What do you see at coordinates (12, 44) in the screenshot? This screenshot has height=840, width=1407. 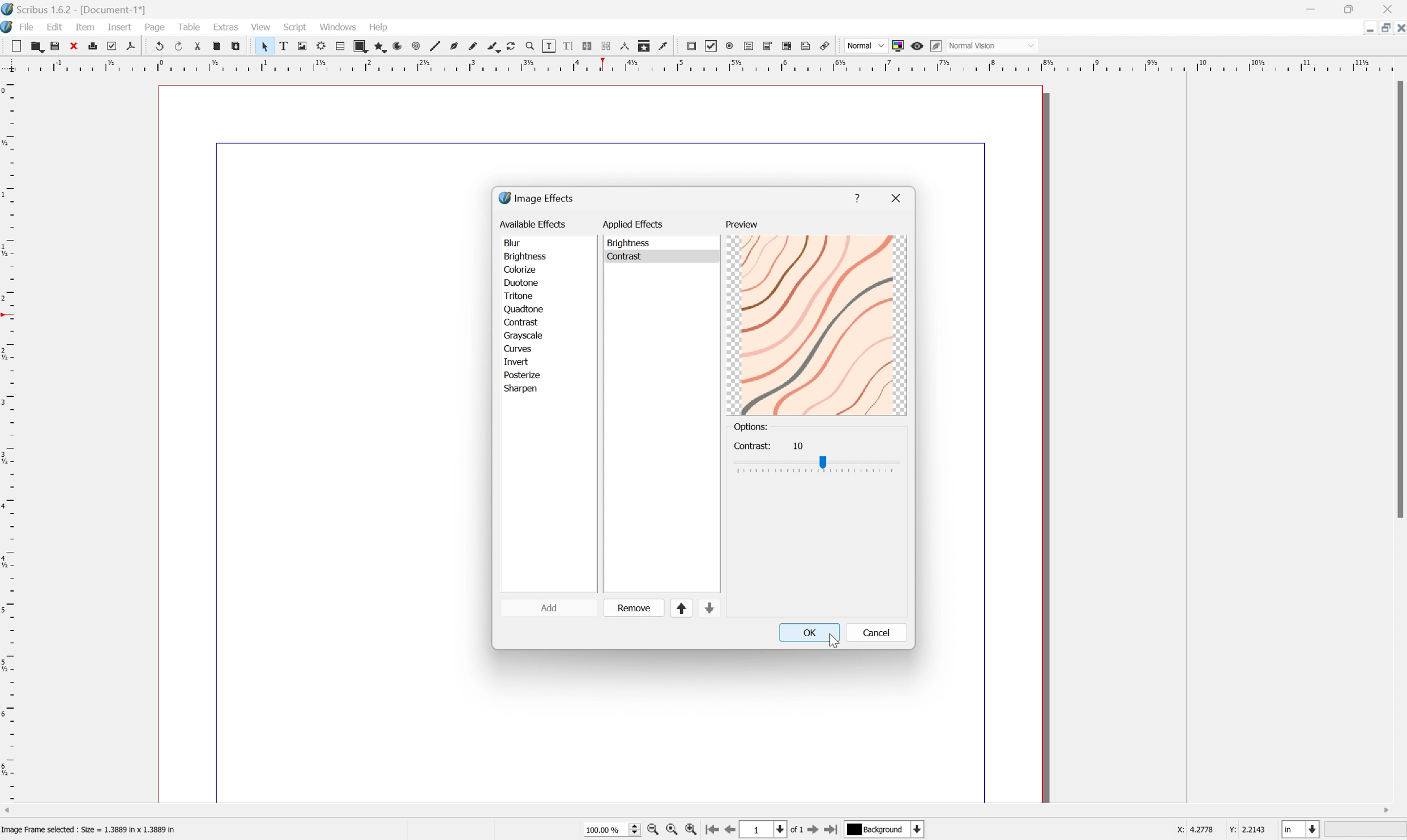 I see `New` at bounding box center [12, 44].